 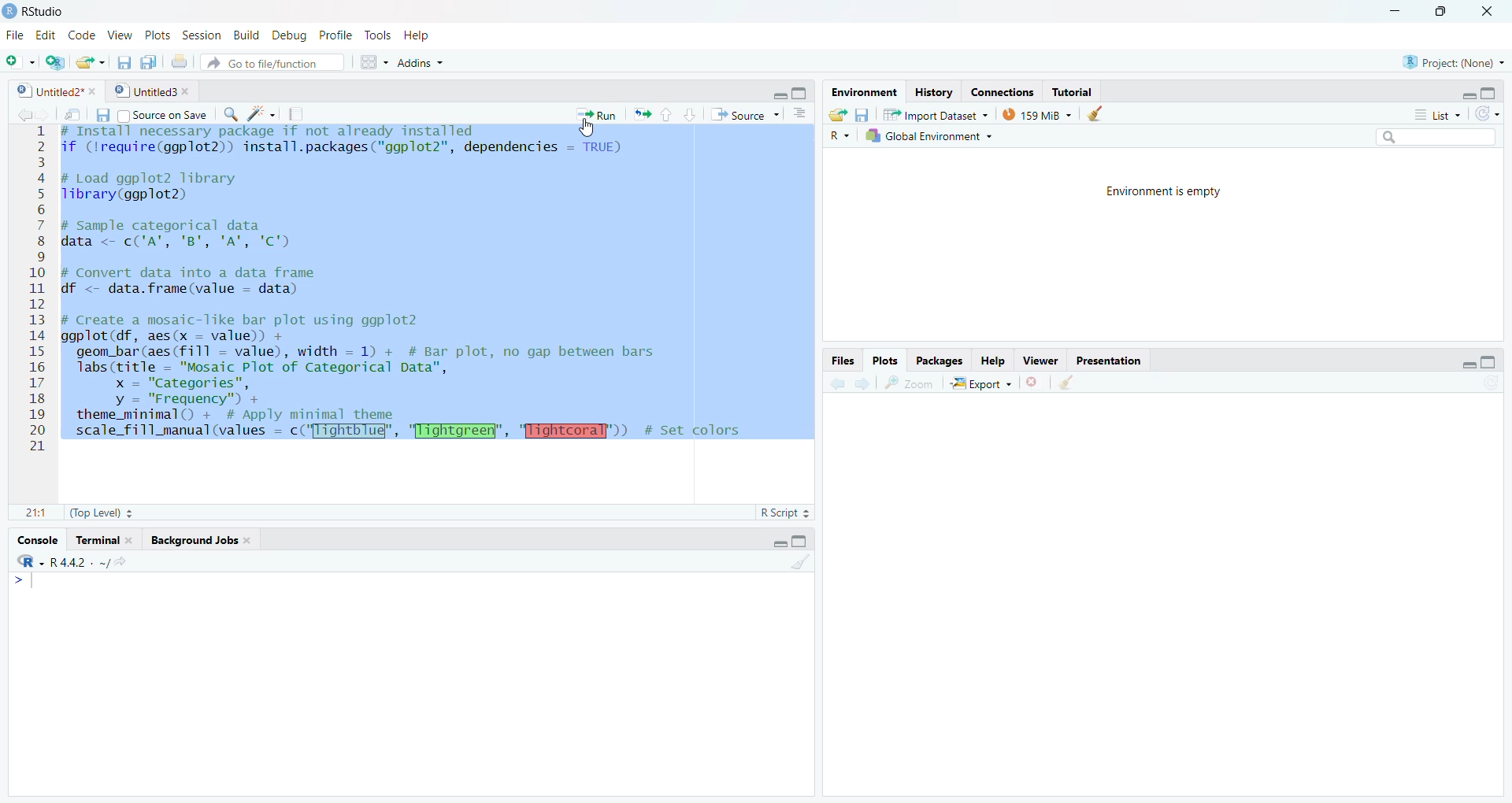 I want to click on Up, so click(x=665, y=115).